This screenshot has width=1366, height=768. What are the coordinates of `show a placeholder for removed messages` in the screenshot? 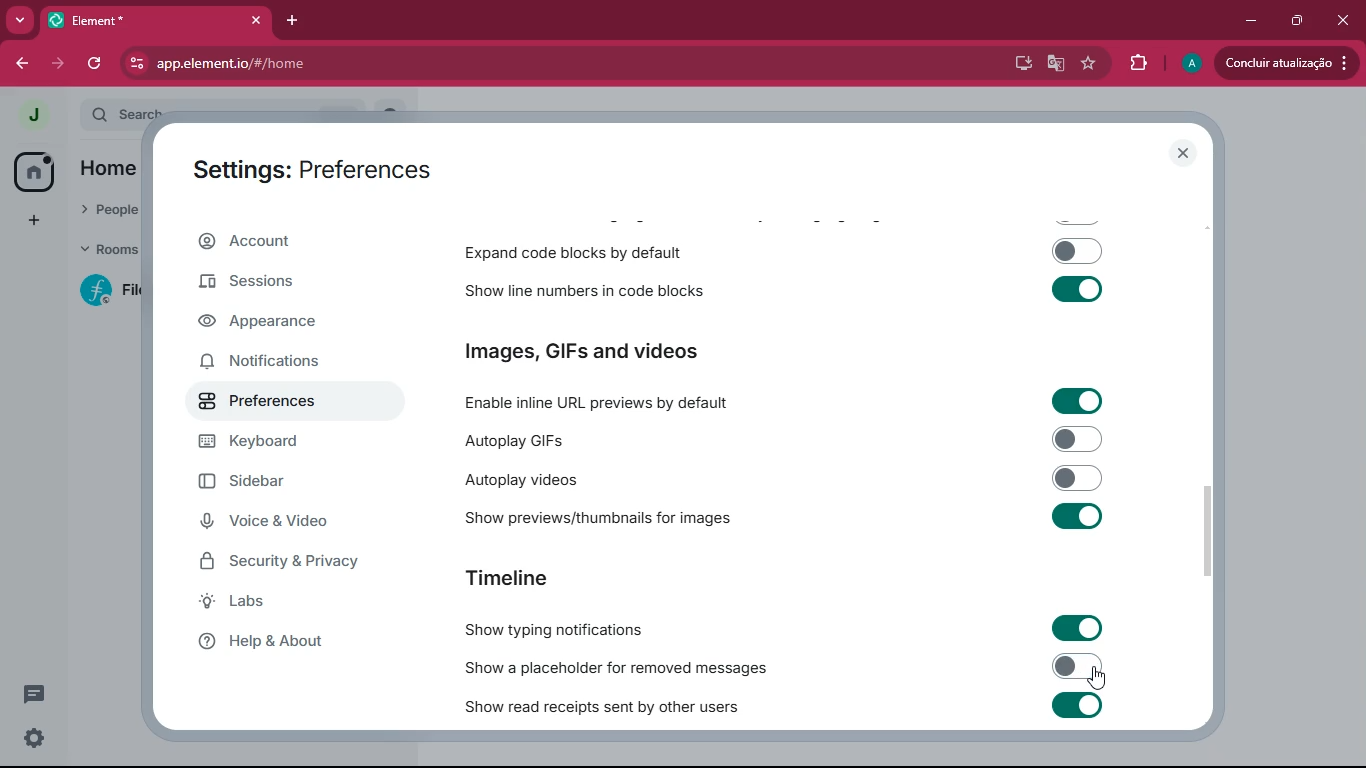 It's located at (626, 666).